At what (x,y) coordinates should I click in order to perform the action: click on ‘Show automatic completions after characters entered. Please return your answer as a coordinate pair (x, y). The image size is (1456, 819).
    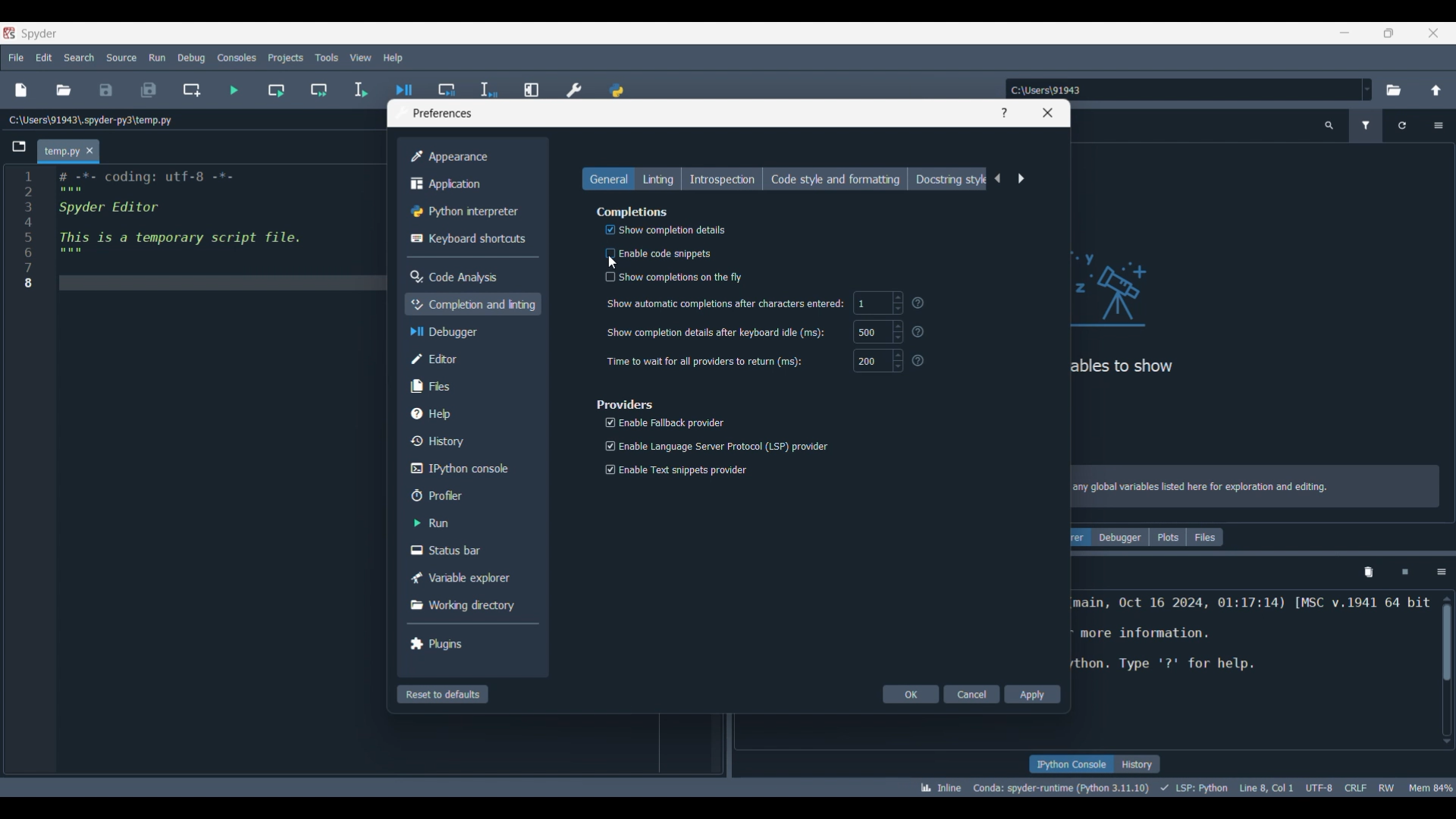
    Looking at the image, I should click on (726, 305).